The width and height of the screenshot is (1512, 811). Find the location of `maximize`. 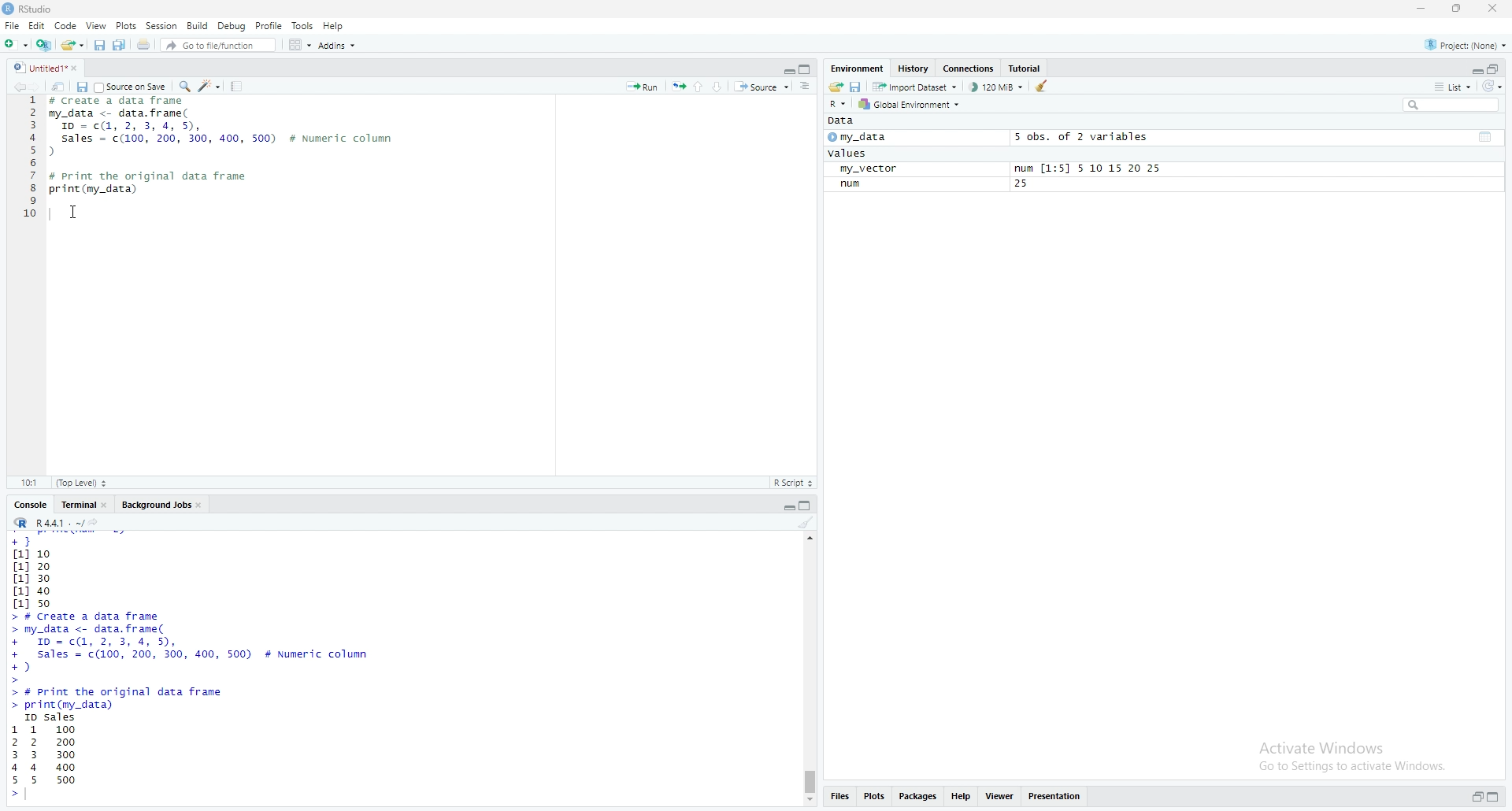

maximize is located at coordinates (808, 505).